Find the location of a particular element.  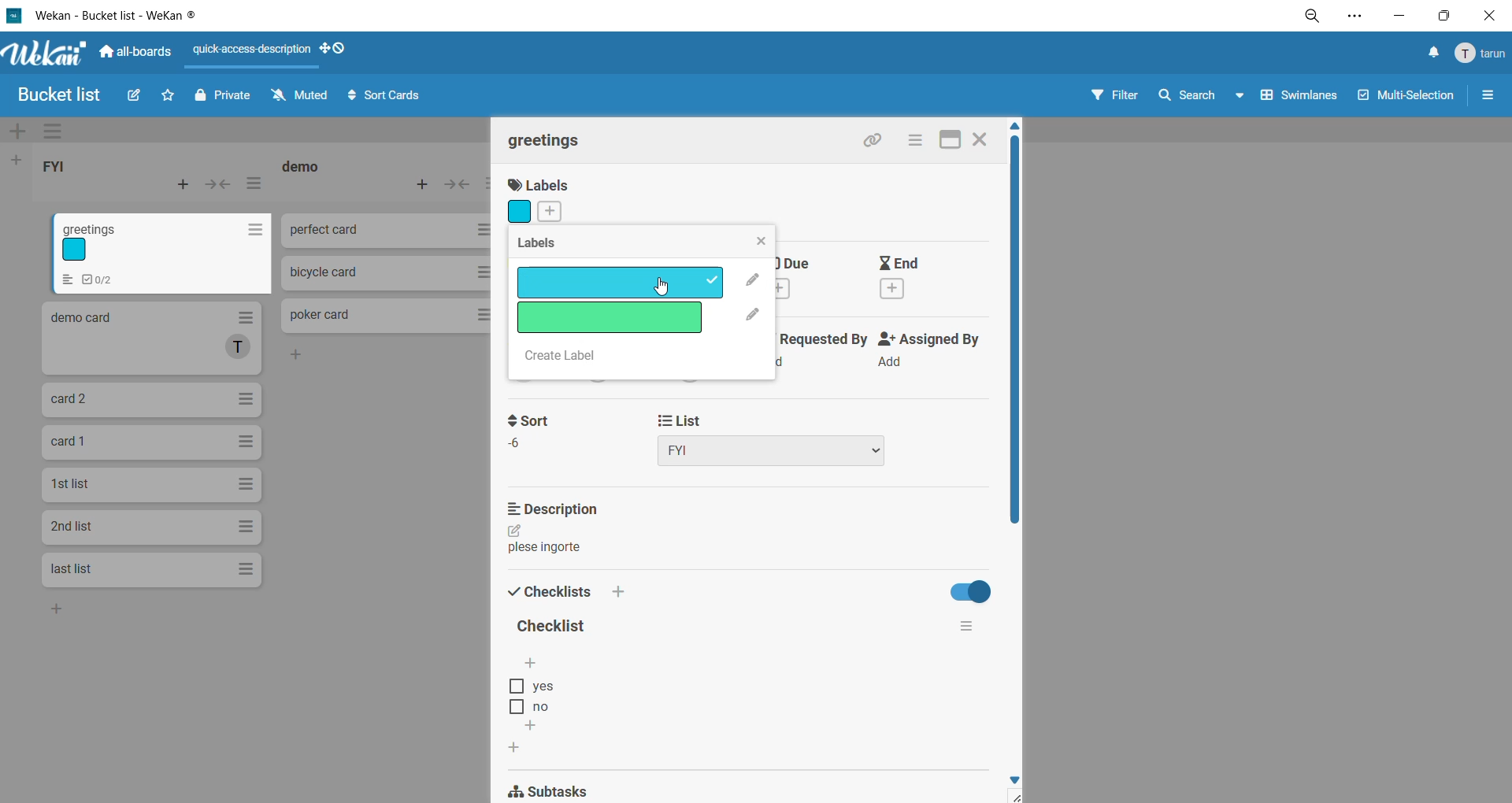

vertical scroll bar is located at coordinates (1016, 331).